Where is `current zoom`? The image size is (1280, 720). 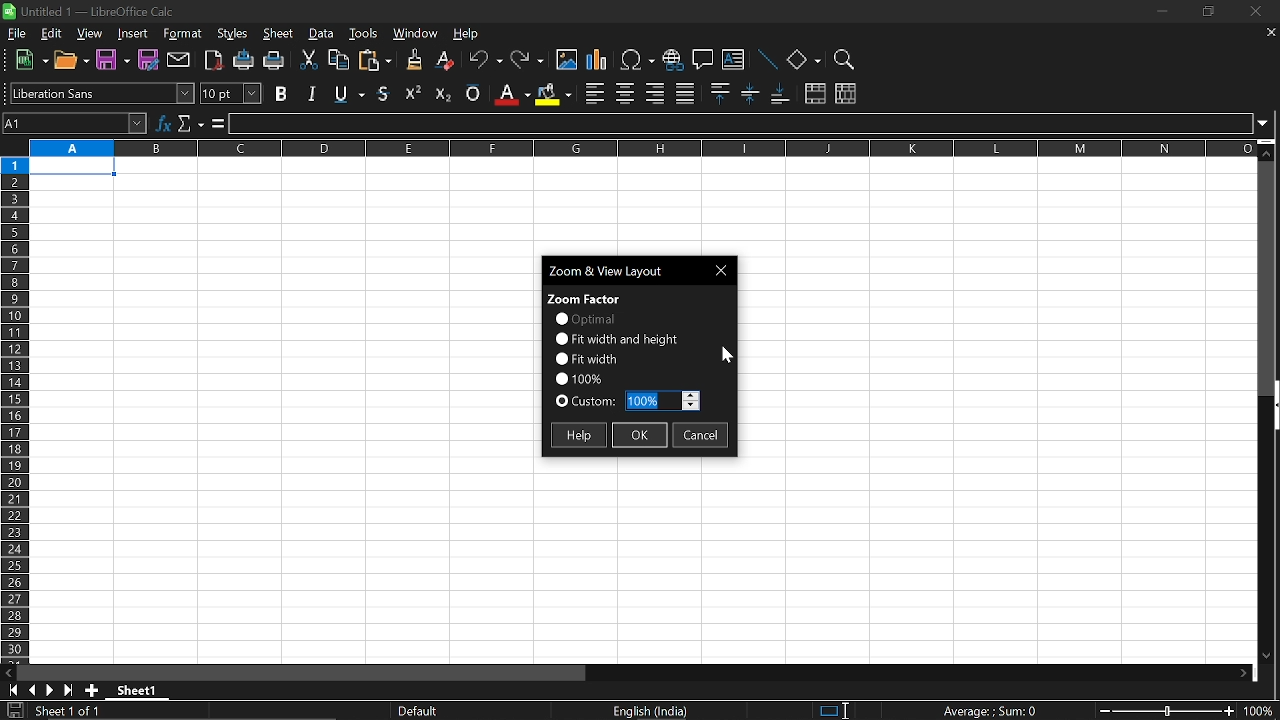 current zoom is located at coordinates (578, 377).